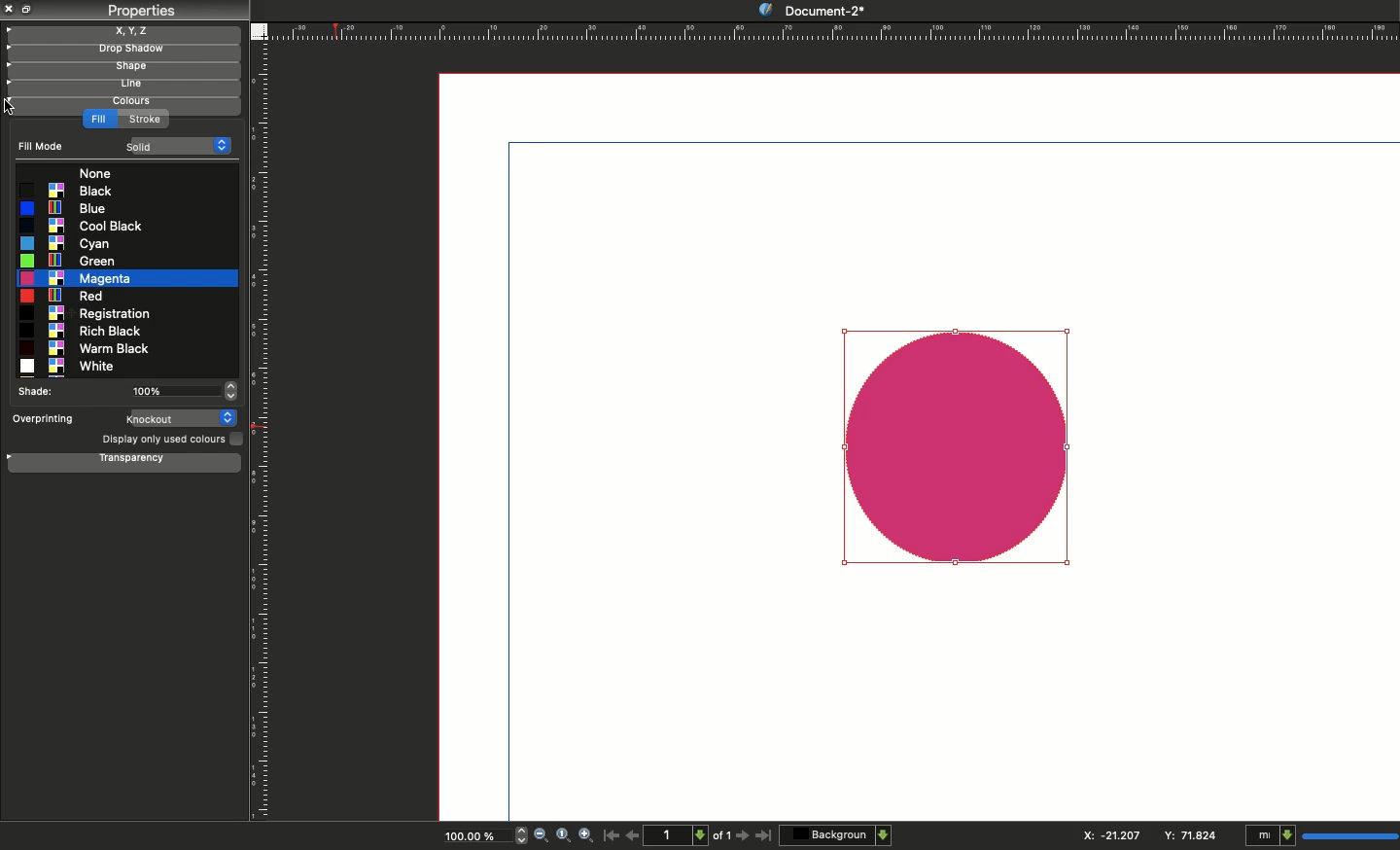 Image resolution: width=1400 pixels, height=850 pixels. What do you see at coordinates (67, 243) in the screenshot?
I see `Cyan` at bounding box center [67, 243].